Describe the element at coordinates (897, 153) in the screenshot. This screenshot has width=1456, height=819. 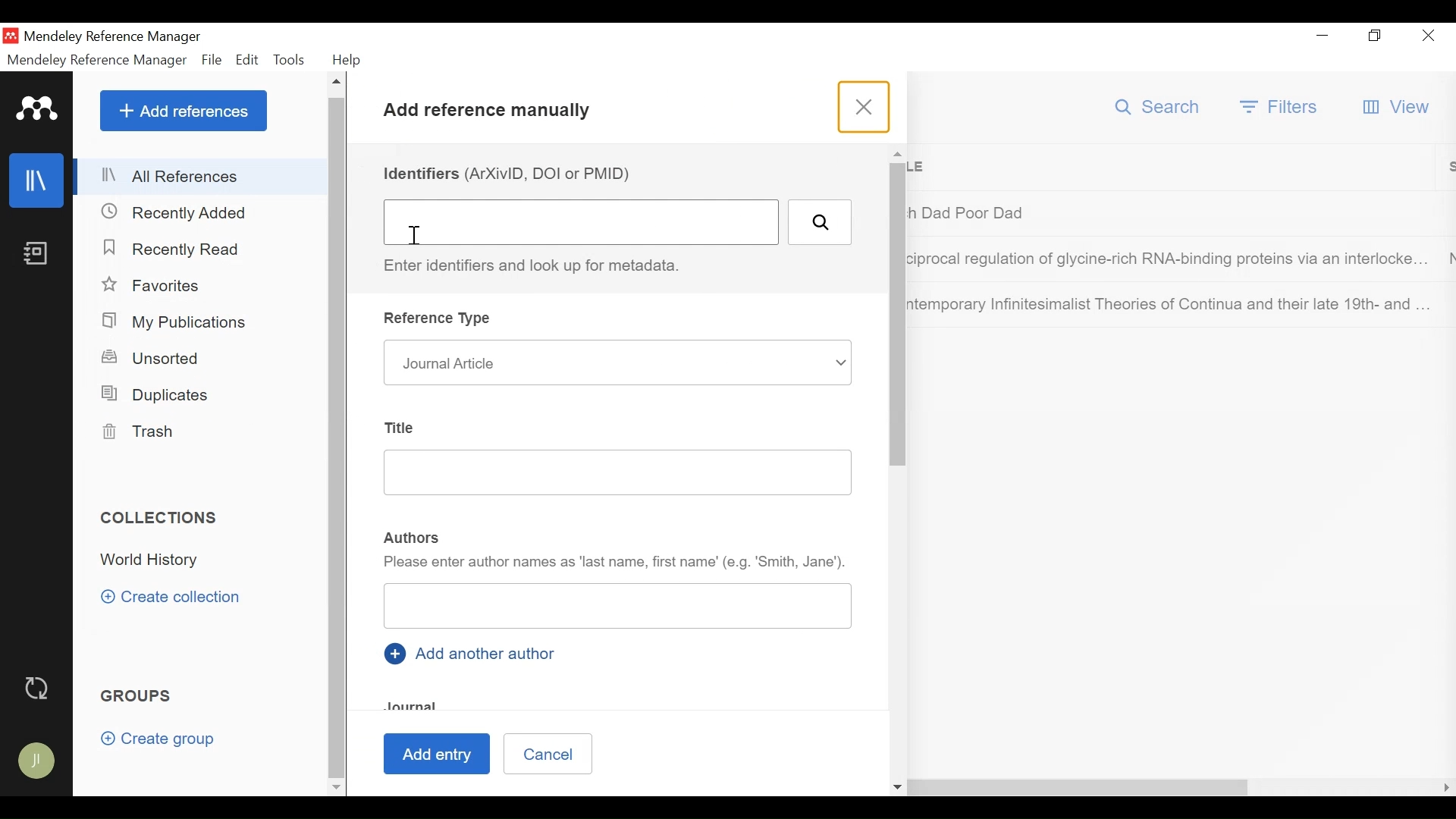
I see `Scroll up` at that location.